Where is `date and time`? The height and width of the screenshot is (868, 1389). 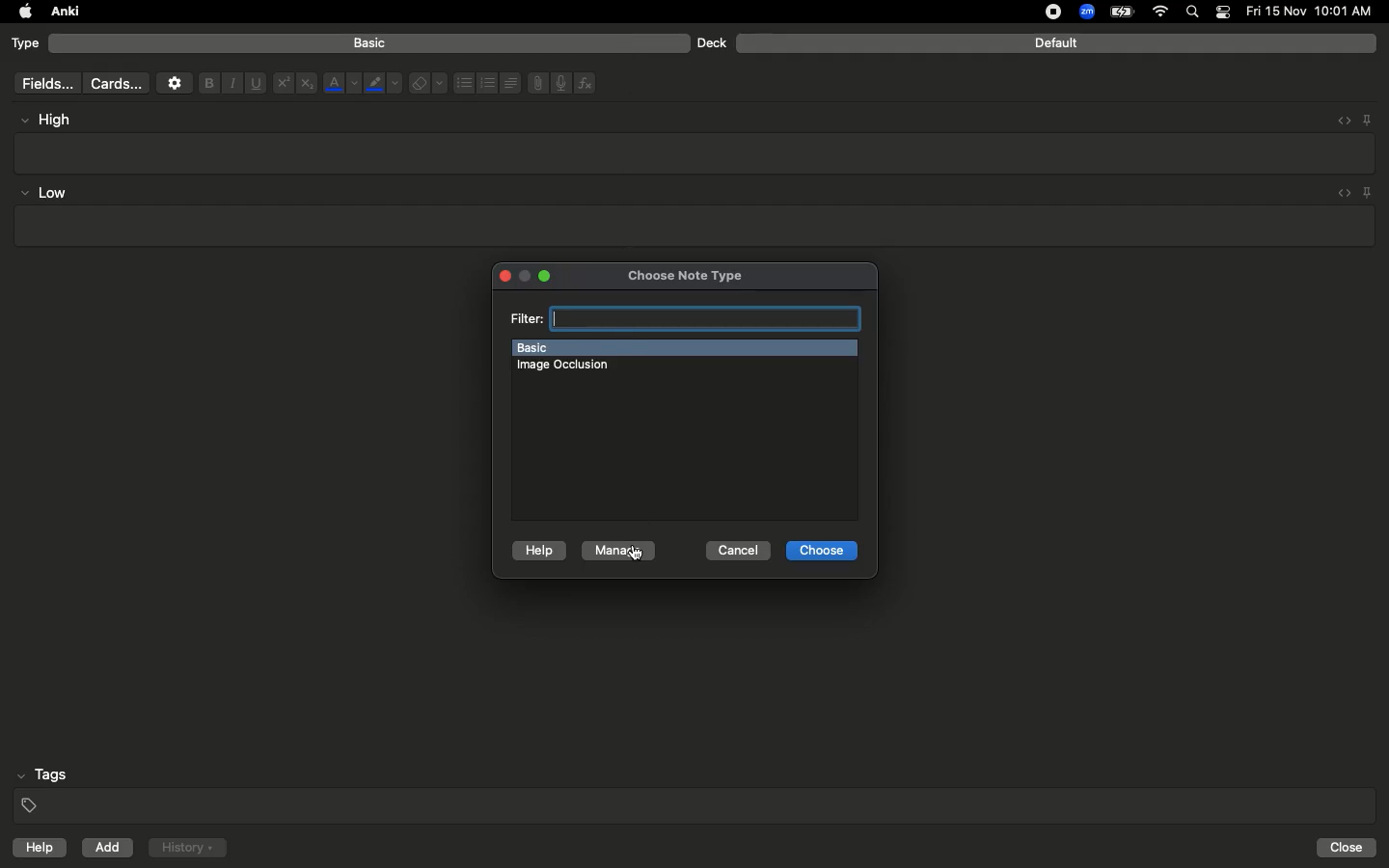
date and time is located at coordinates (1315, 11).